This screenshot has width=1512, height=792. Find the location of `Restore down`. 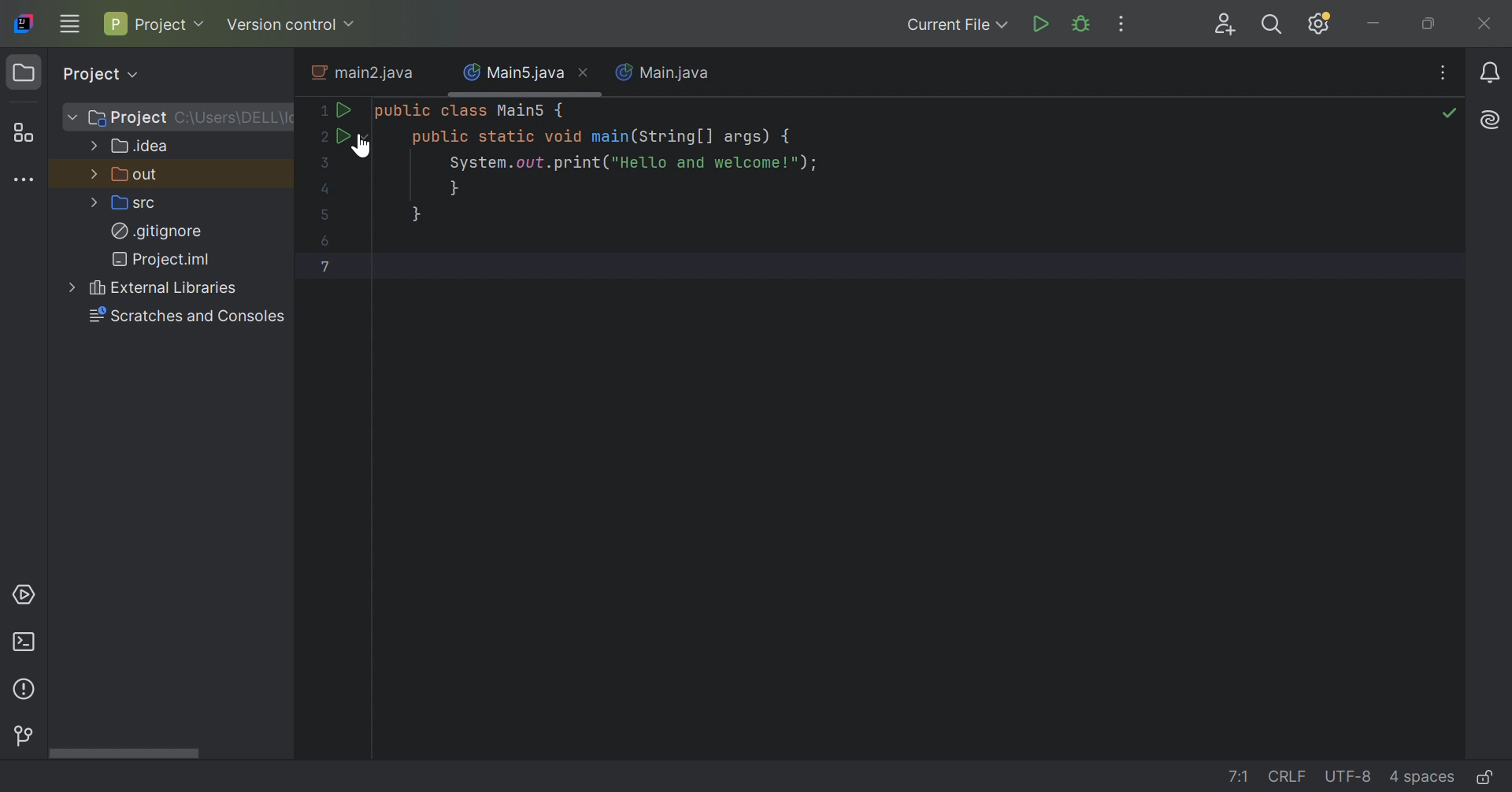

Restore down is located at coordinates (1430, 26).